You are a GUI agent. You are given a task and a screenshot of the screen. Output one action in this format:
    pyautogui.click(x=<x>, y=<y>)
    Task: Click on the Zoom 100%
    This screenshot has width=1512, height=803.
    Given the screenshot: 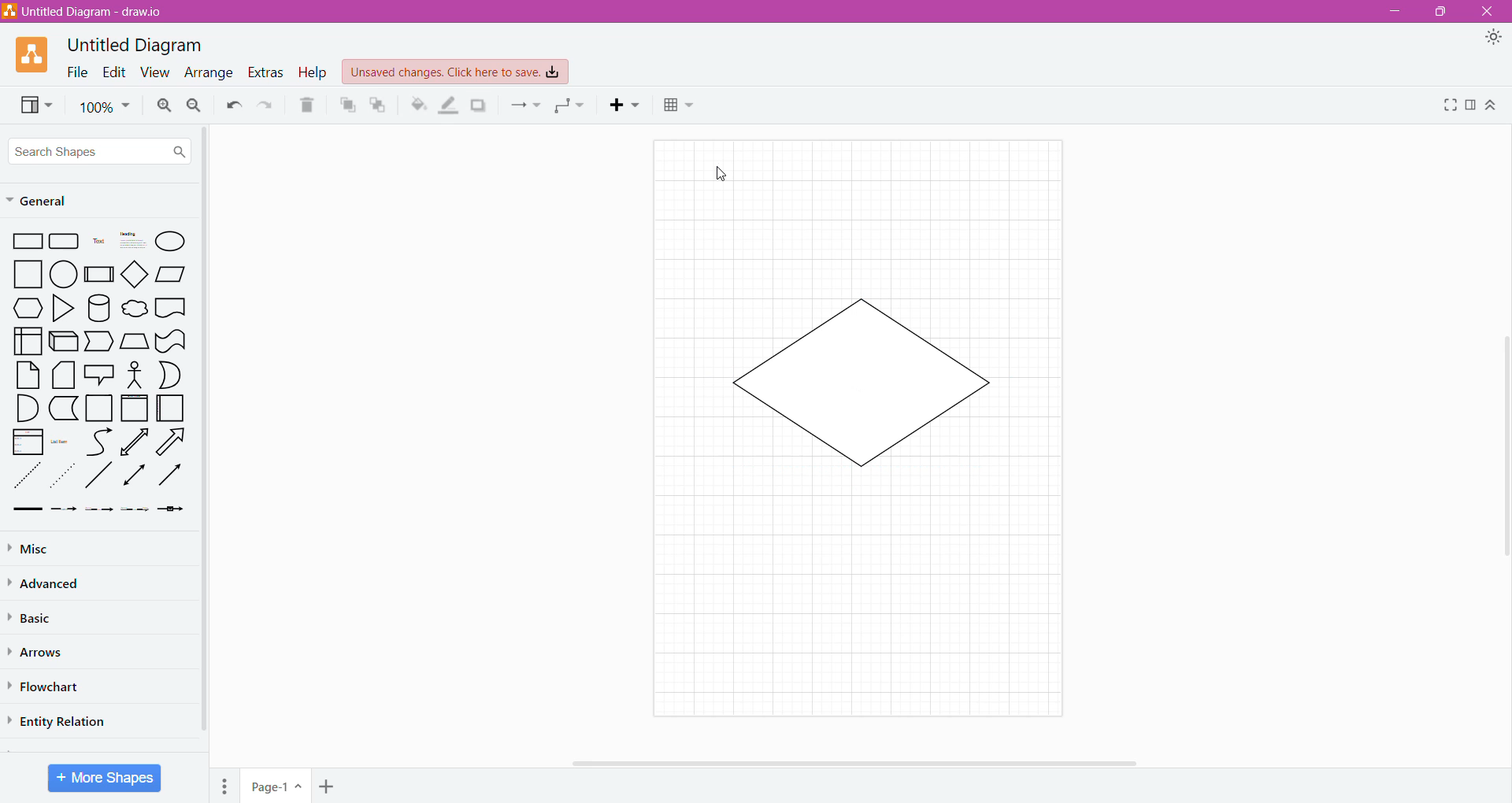 What is the action you would take?
    pyautogui.click(x=105, y=107)
    